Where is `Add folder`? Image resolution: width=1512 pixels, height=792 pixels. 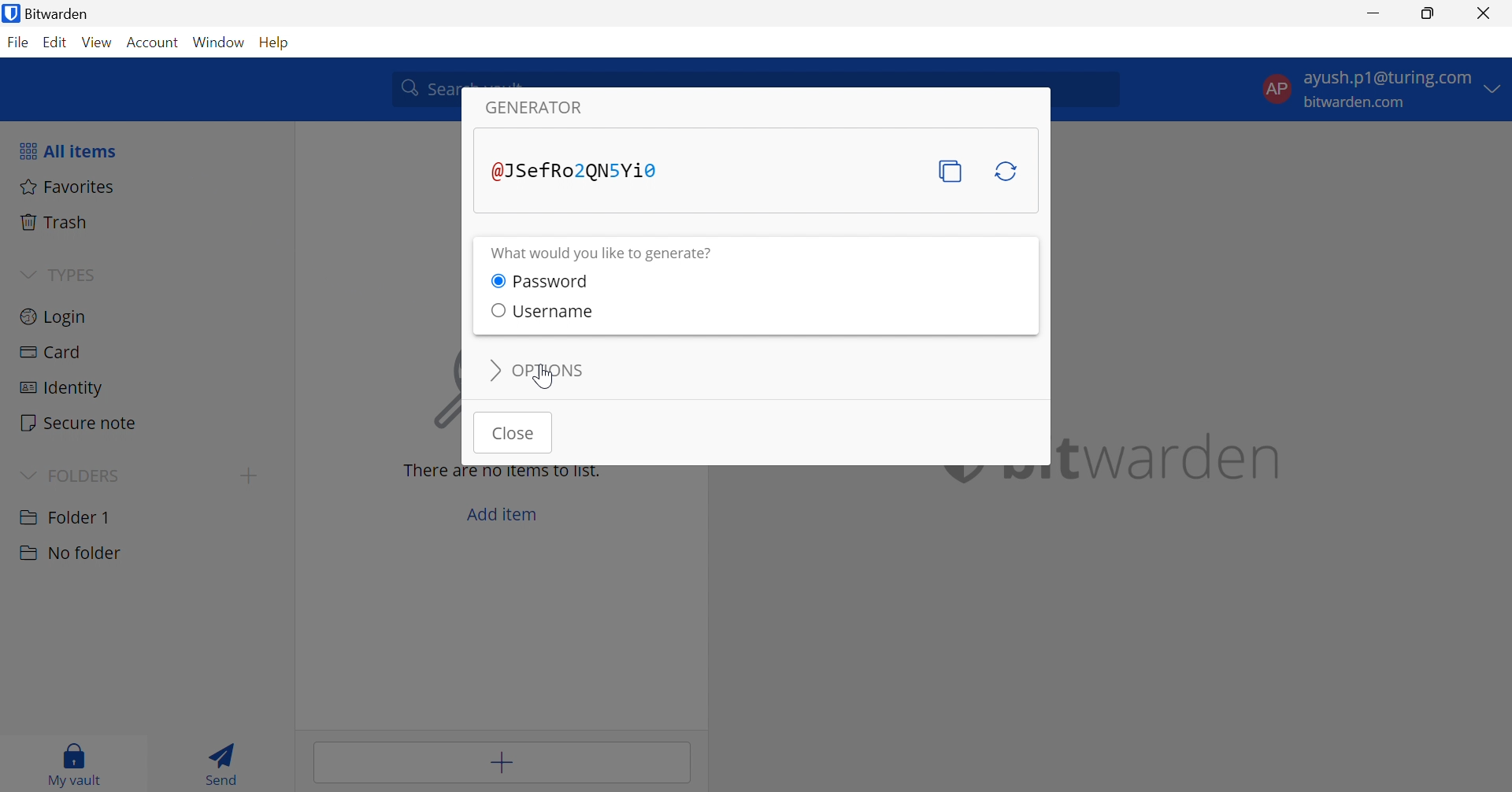
Add folder is located at coordinates (253, 475).